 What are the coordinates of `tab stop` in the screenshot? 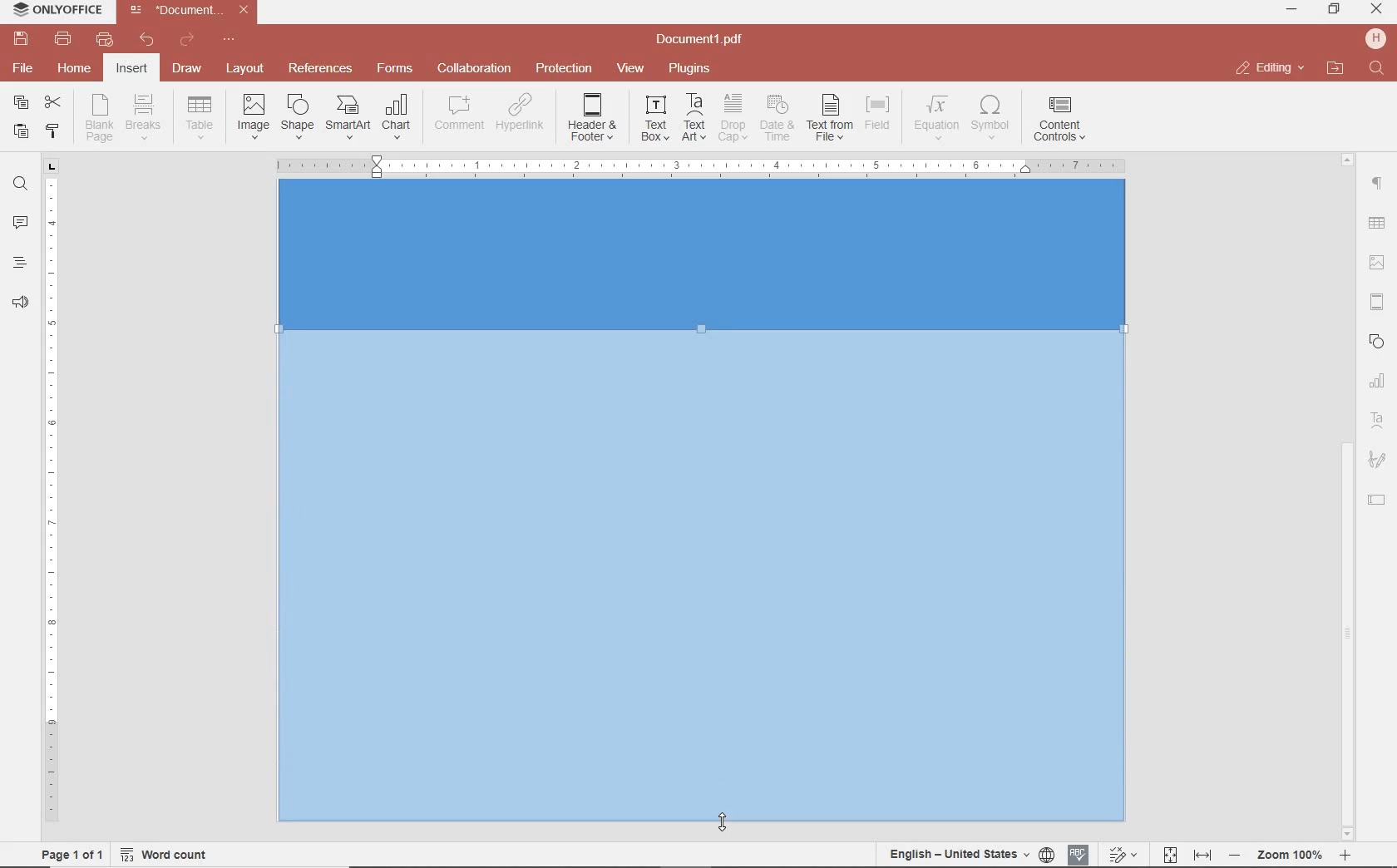 It's located at (52, 165).